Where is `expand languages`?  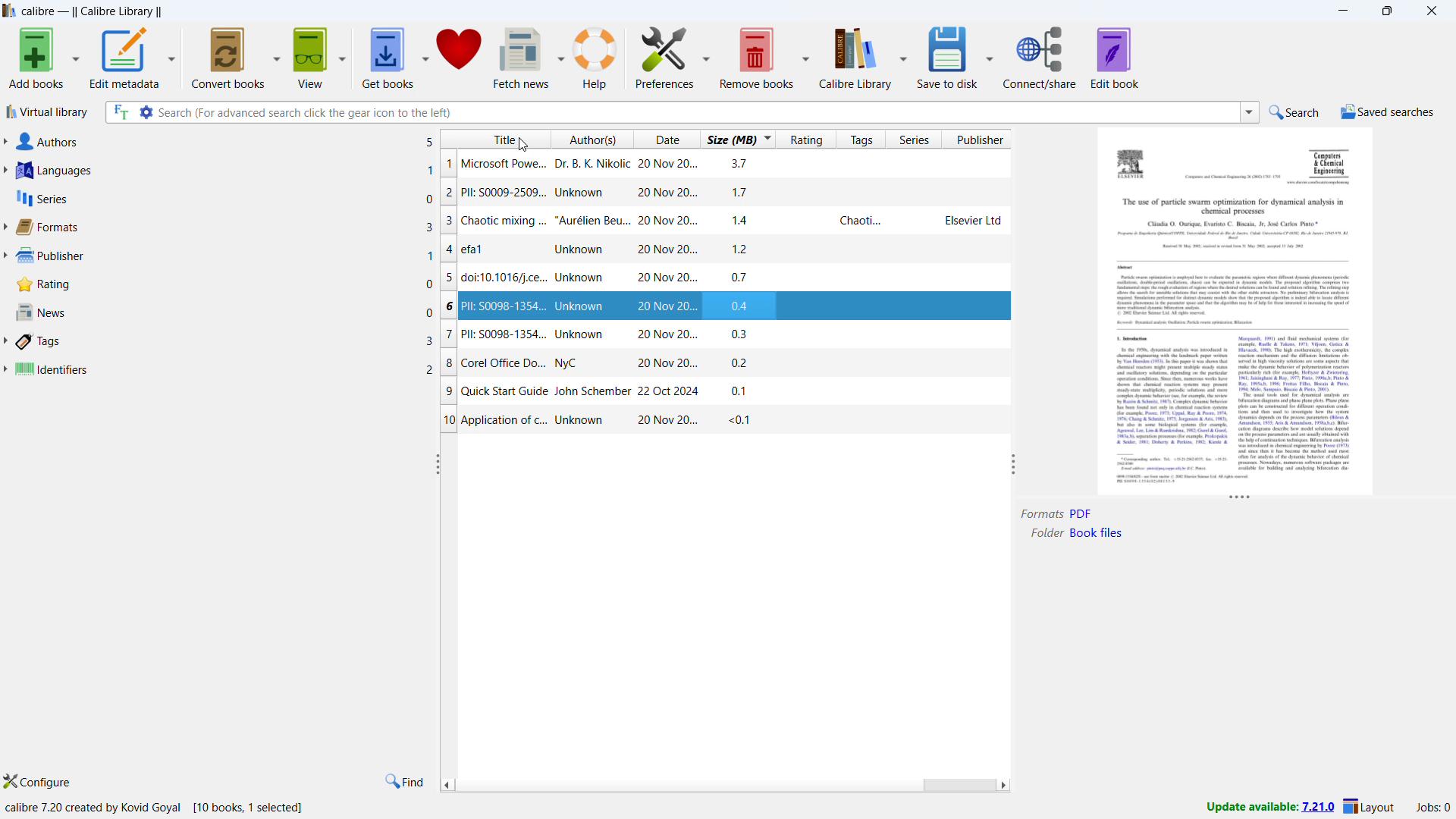
expand languages is located at coordinates (5, 171).